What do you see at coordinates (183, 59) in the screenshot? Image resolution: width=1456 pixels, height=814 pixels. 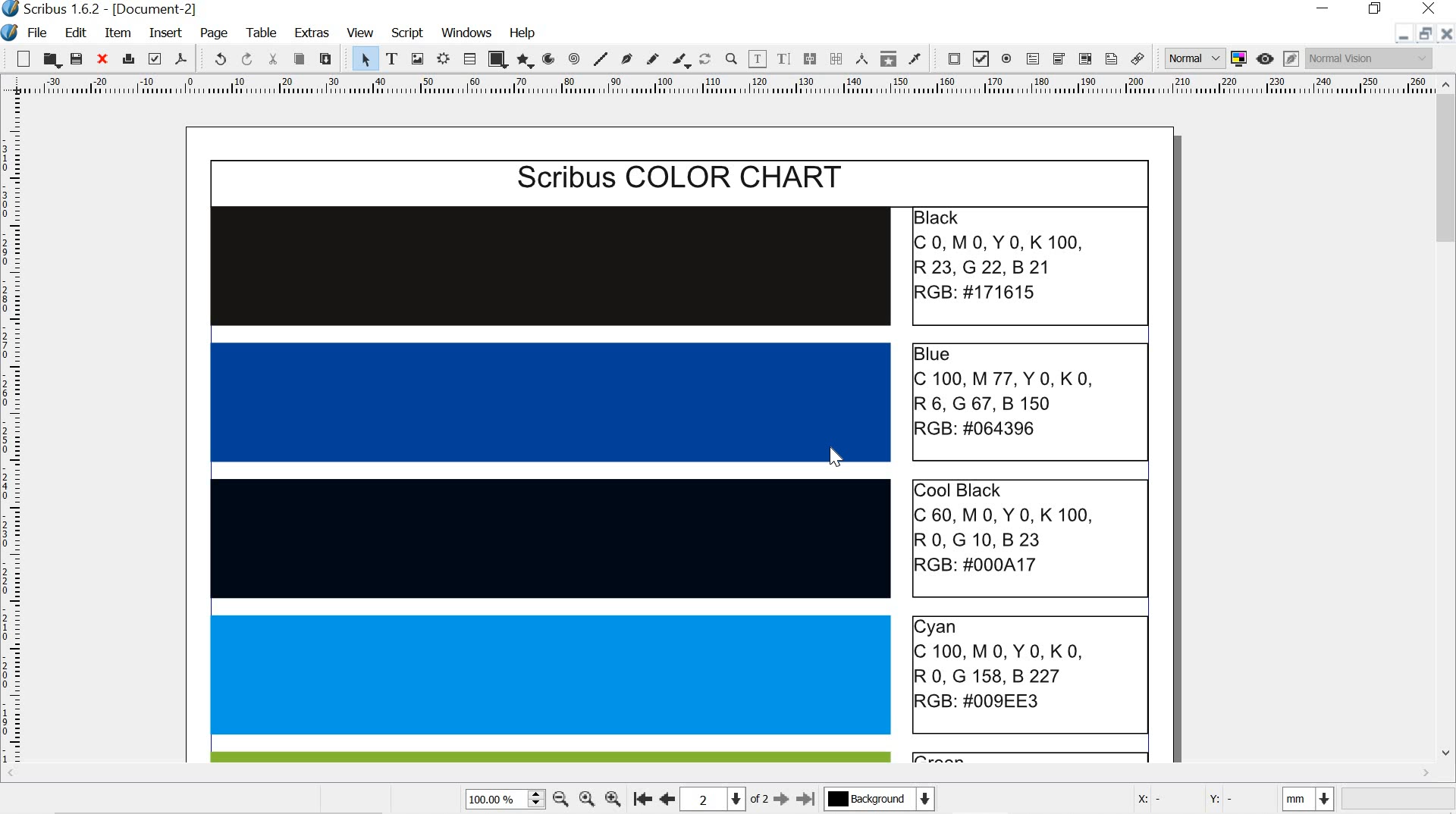 I see `save as pdf` at bounding box center [183, 59].